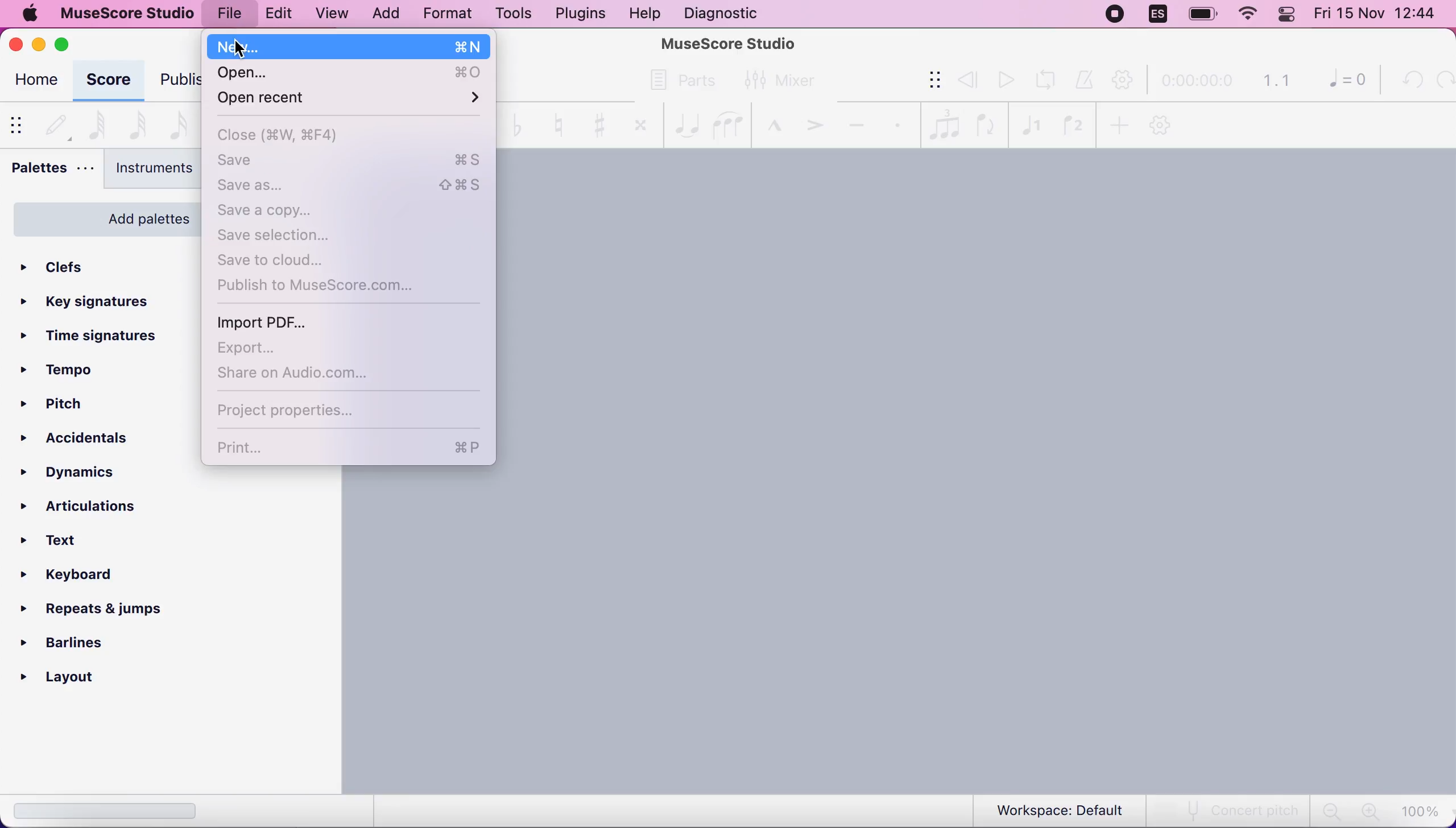 Image resolution: width=1456 pixels, height=828 pixels. I want to click on Cursor, so click(241, 48).